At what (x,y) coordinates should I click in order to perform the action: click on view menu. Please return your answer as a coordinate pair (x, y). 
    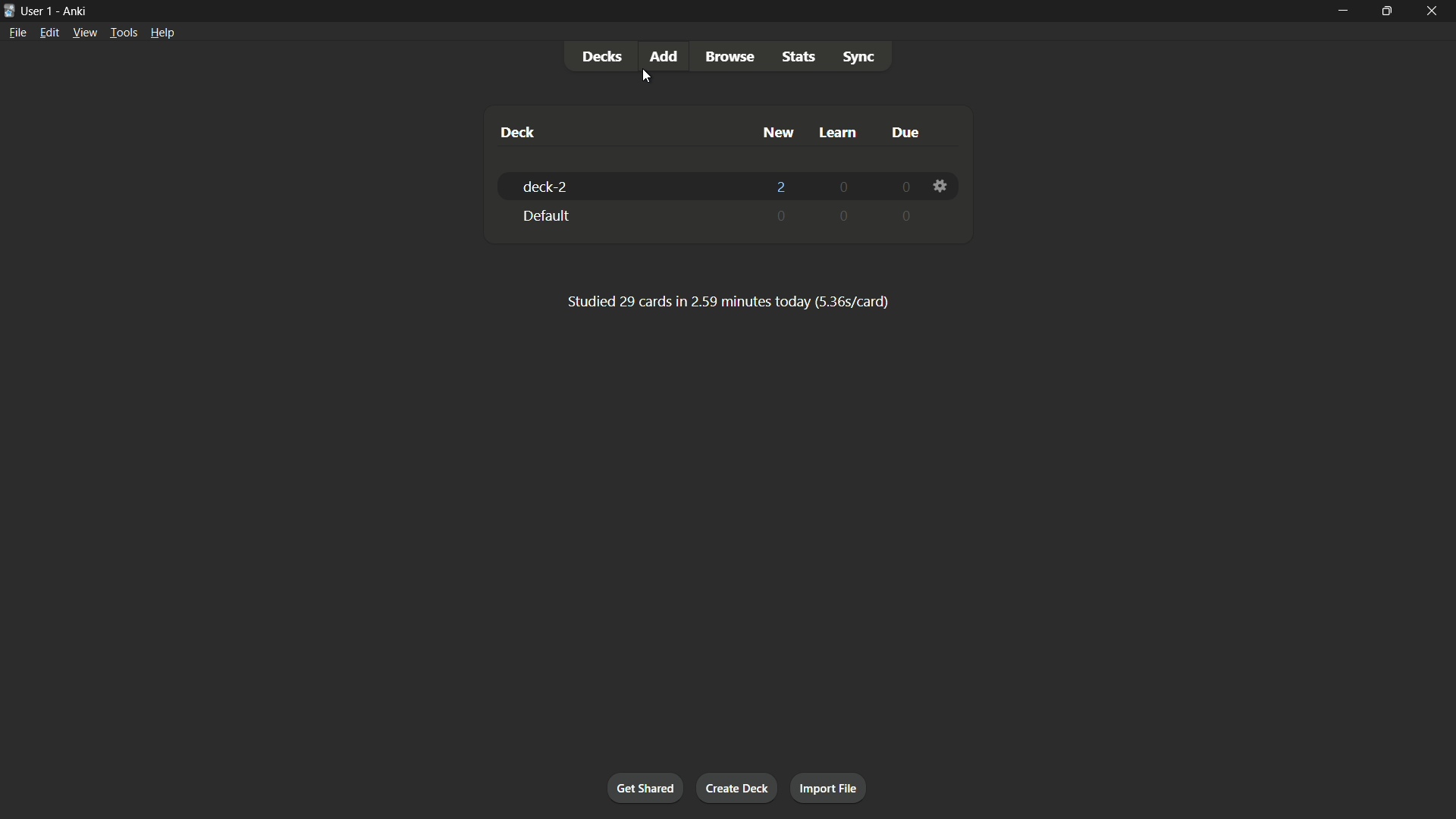
    Looking at the image, I should click on (85, 33).